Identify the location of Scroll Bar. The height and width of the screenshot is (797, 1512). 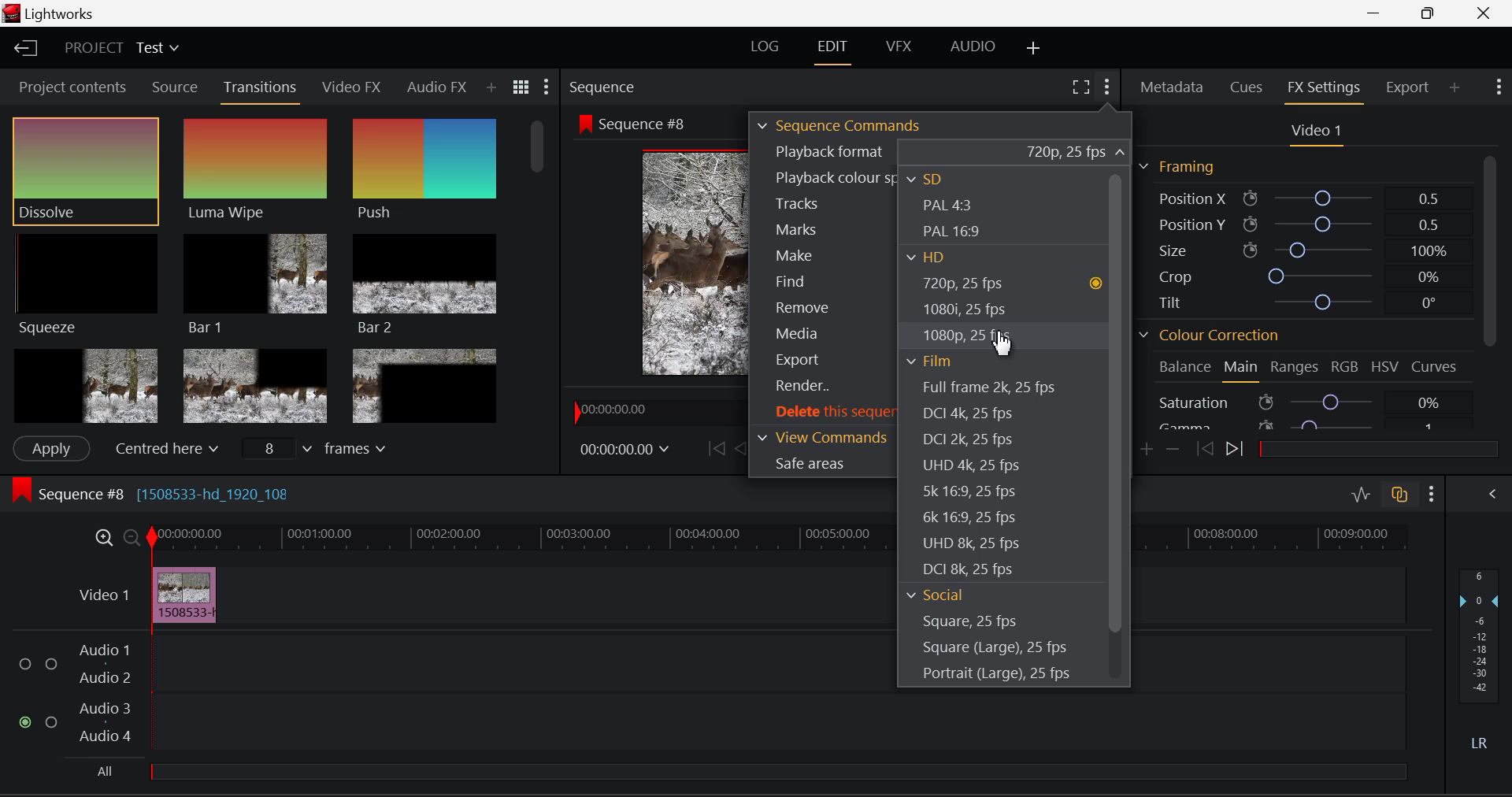
(1115, 426).